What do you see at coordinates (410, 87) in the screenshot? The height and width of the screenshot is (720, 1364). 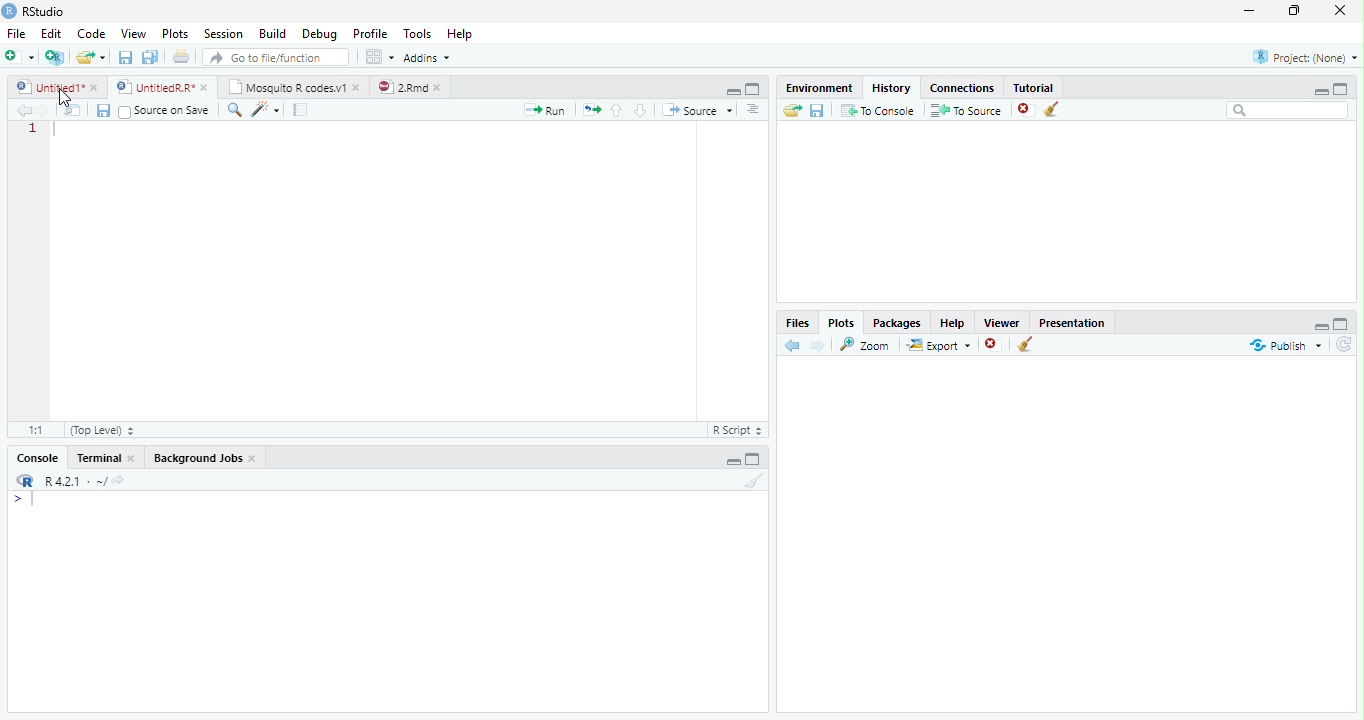 I see `2.Rmd` at bounding box center [410, 87].